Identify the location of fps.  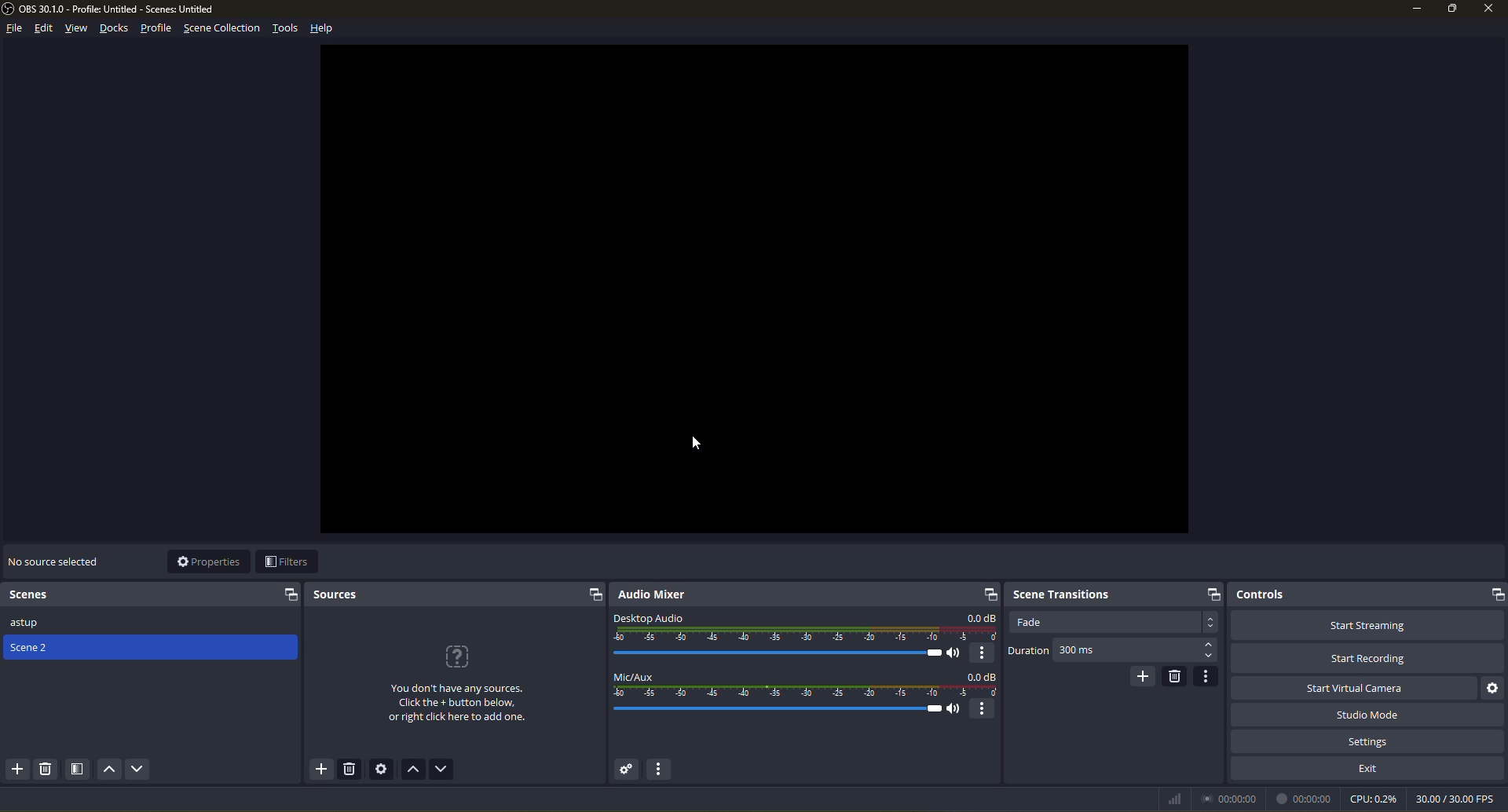
(1459, 796).